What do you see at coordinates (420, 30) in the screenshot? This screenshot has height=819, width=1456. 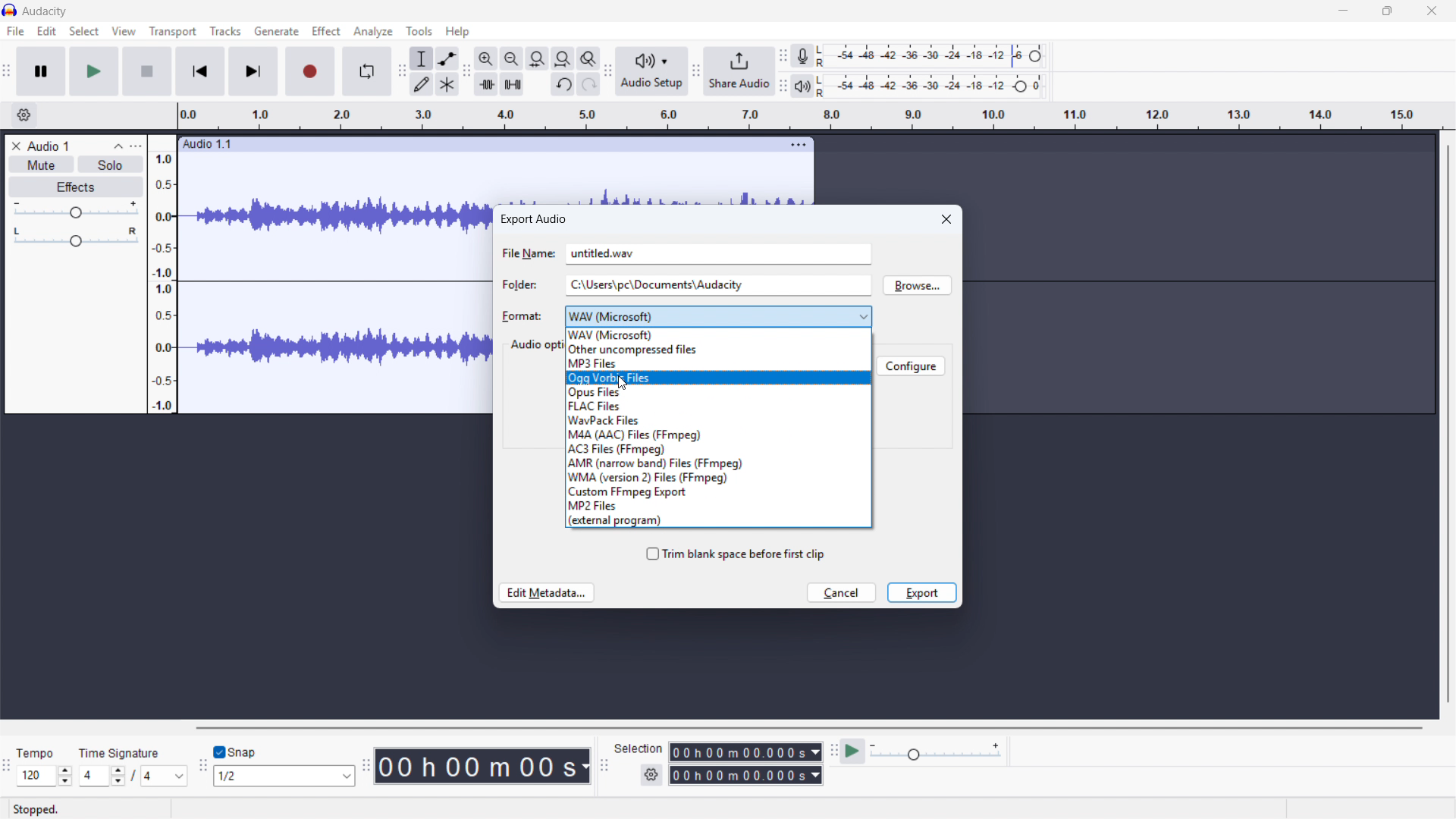 I see `Tools` at bounding box center [420, 30].